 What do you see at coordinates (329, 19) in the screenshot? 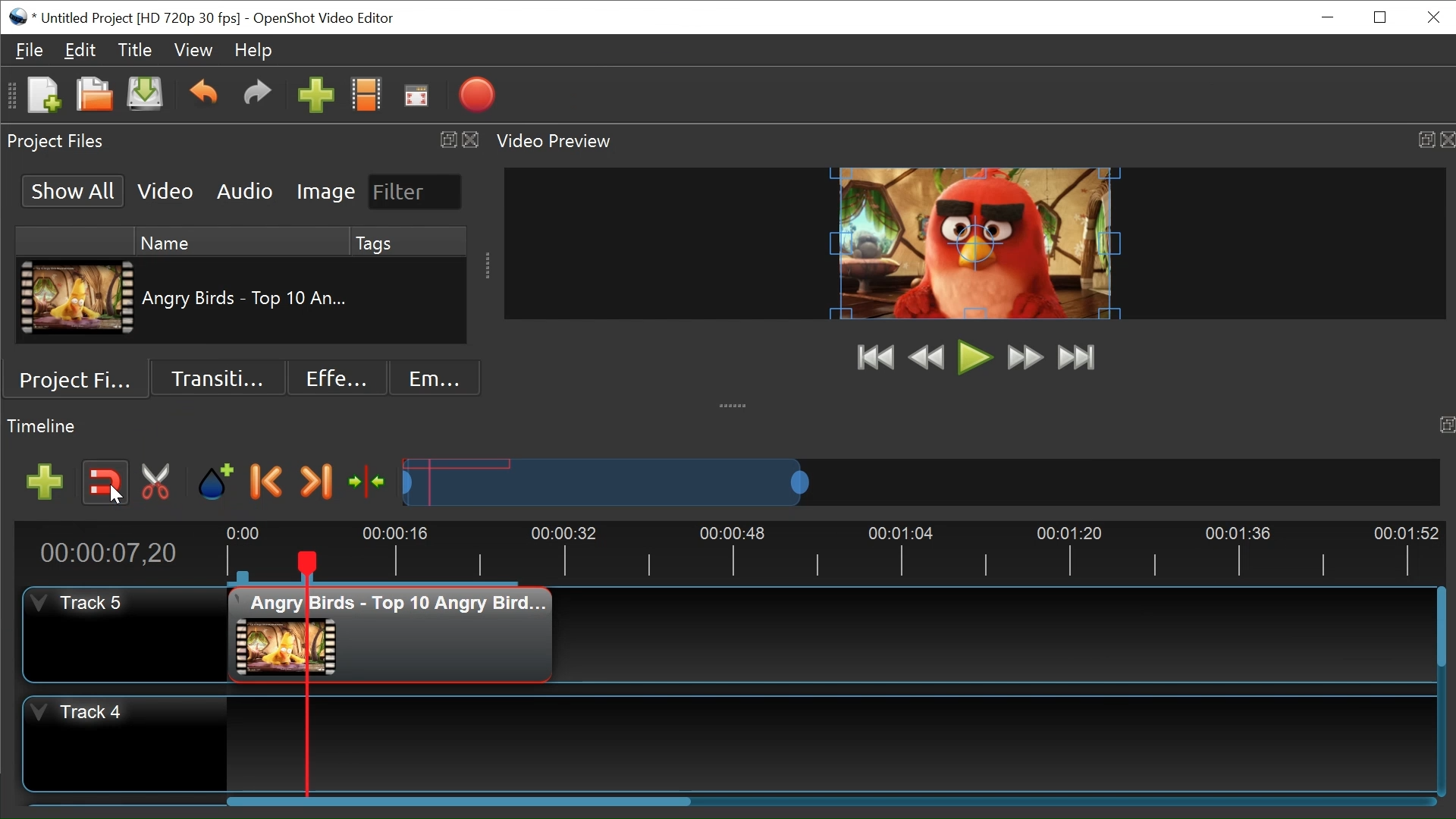
I see `OpenShot Video Editor` at bounding box center [329, 19].